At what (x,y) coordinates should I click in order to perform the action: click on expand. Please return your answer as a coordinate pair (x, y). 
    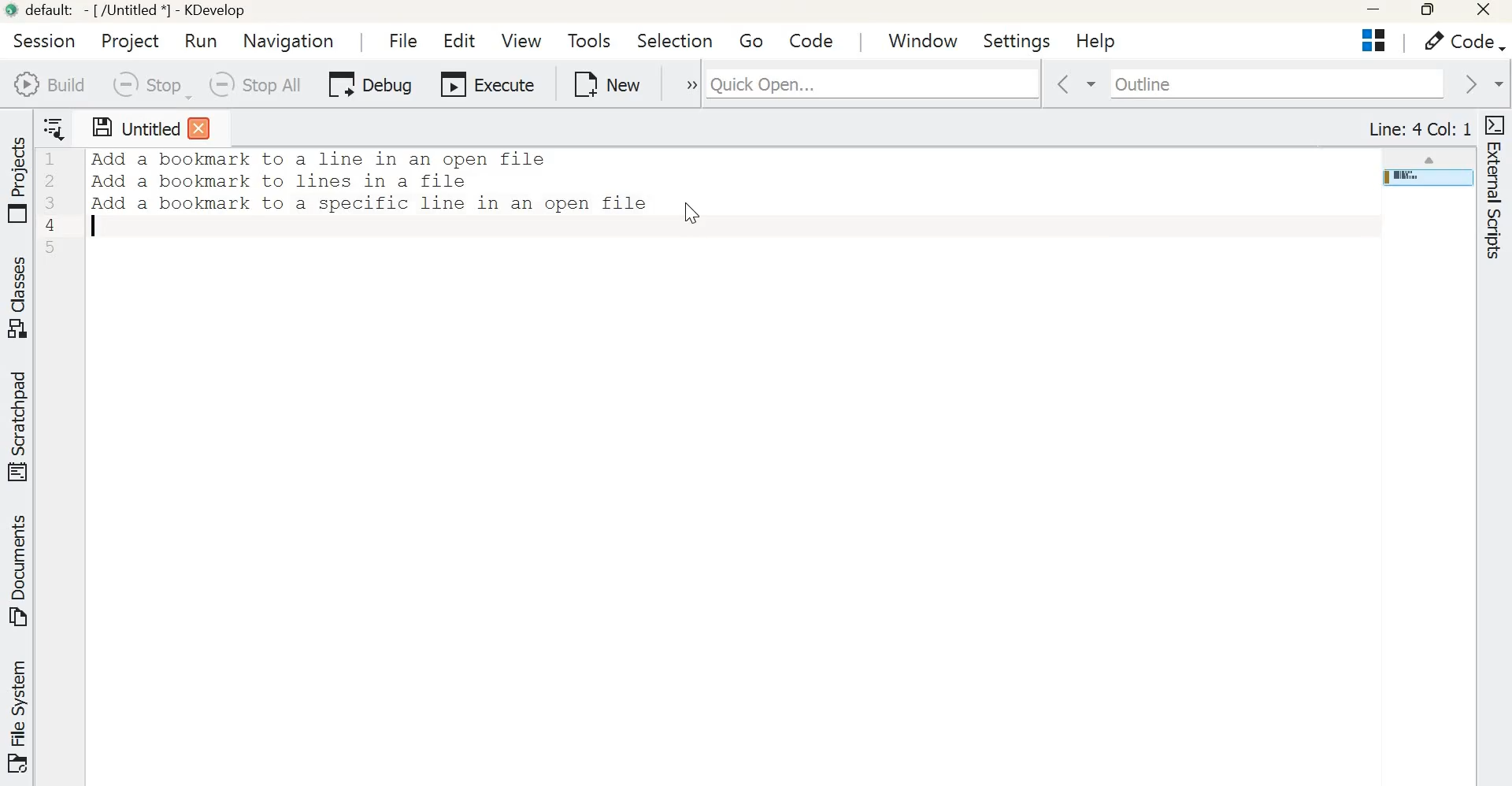
    Looking at the image, I should click on (683, 83).